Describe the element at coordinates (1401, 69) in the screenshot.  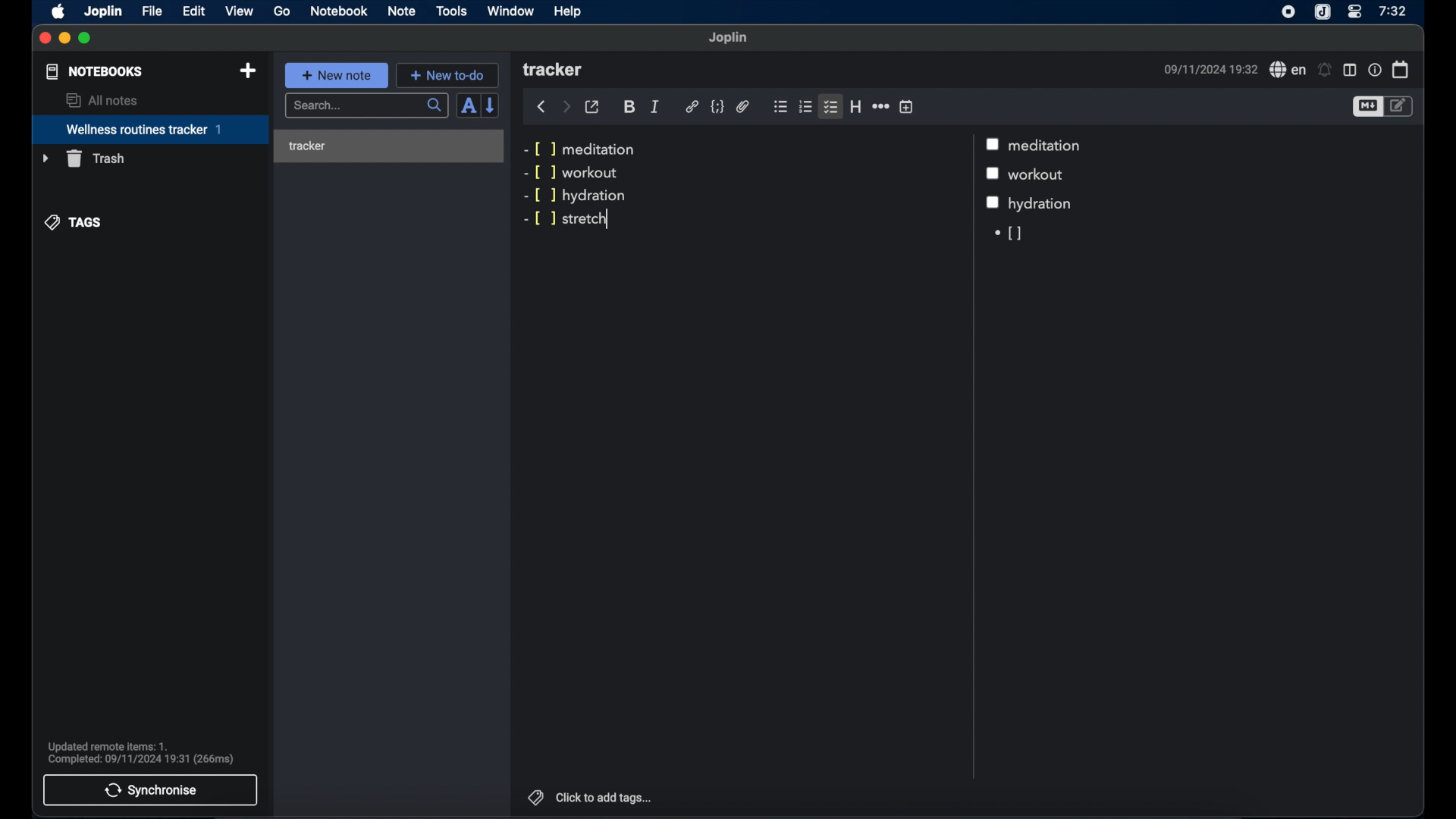
I see `calendar` at that location.